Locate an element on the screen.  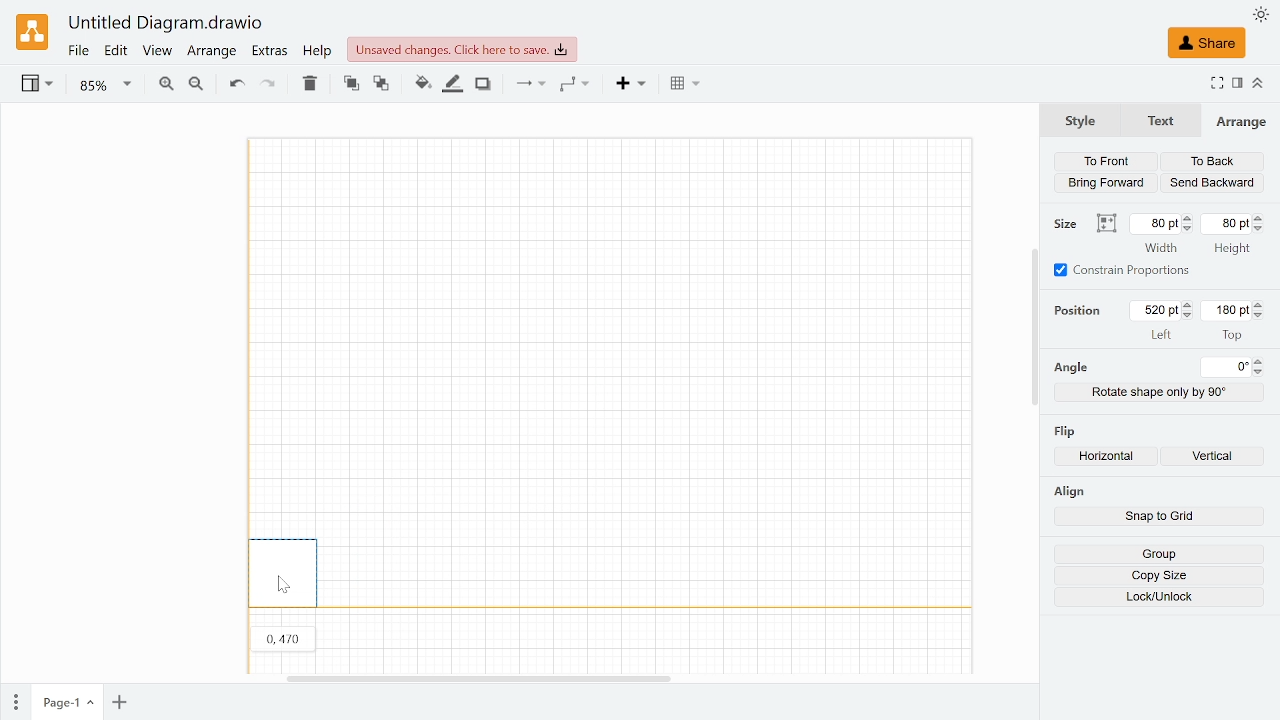
Copy size is located at coordinates (1159, 576).